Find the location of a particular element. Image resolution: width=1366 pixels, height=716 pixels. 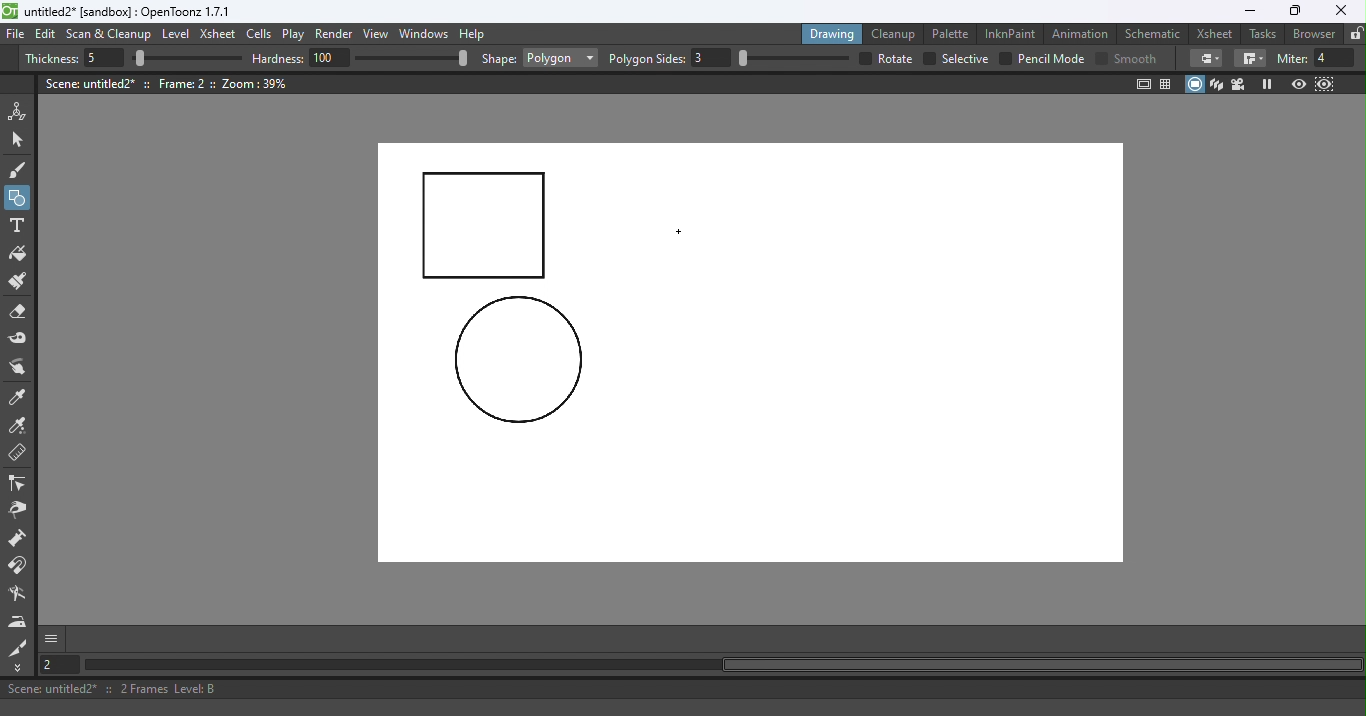

circle is located at coordinates (518, 361).